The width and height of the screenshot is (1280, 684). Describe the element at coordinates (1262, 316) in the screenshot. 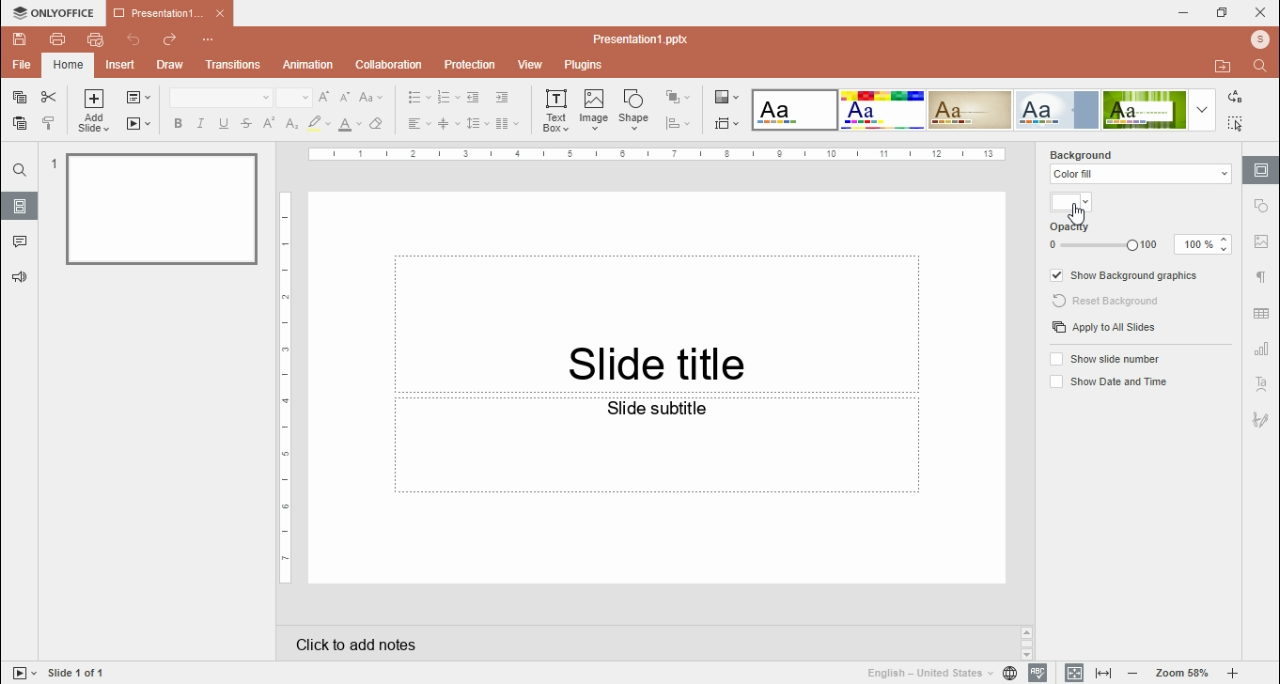

I see `table settings` at that location.